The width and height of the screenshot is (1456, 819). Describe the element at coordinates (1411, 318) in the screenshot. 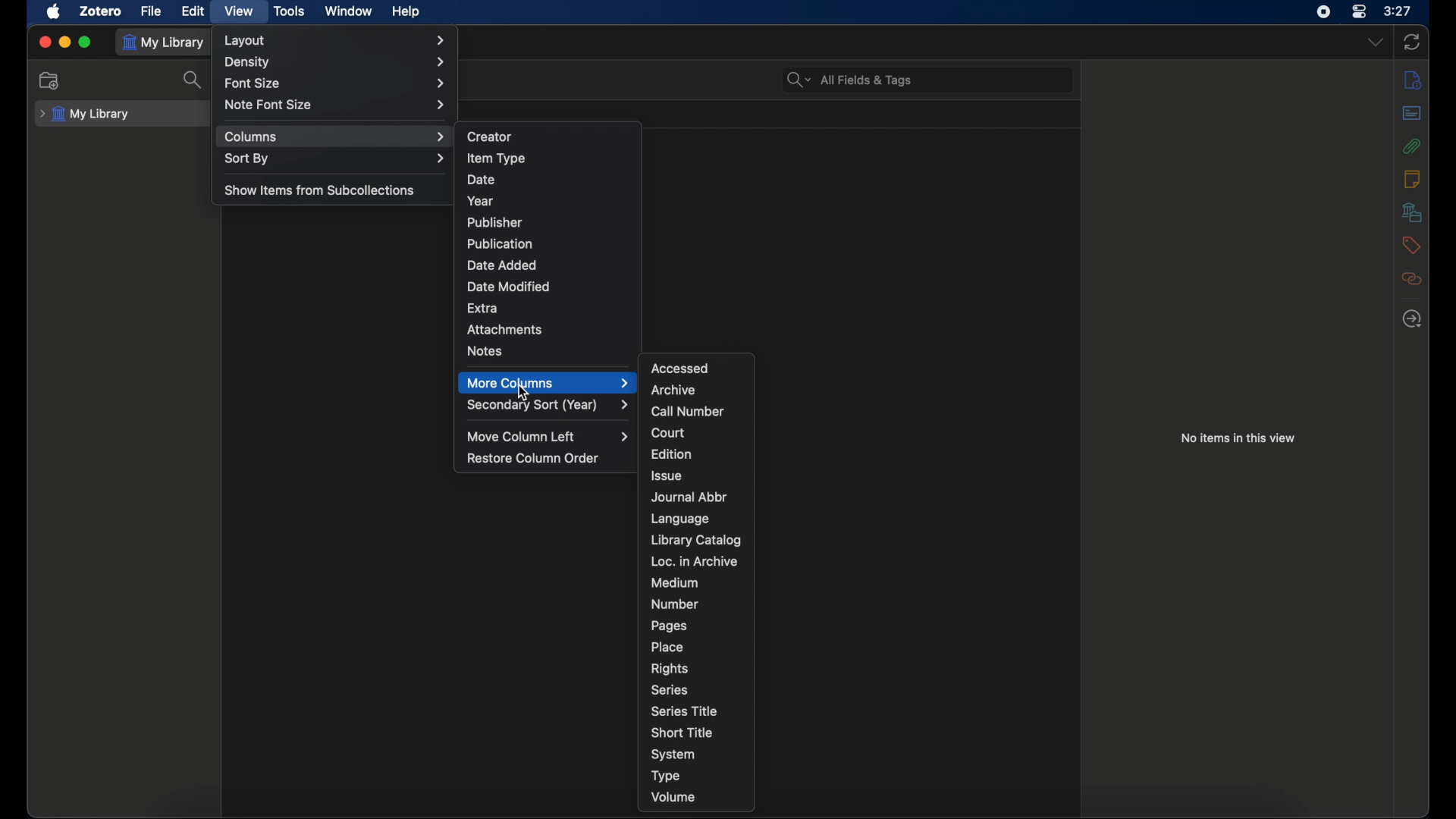

I see `locate` at that location.